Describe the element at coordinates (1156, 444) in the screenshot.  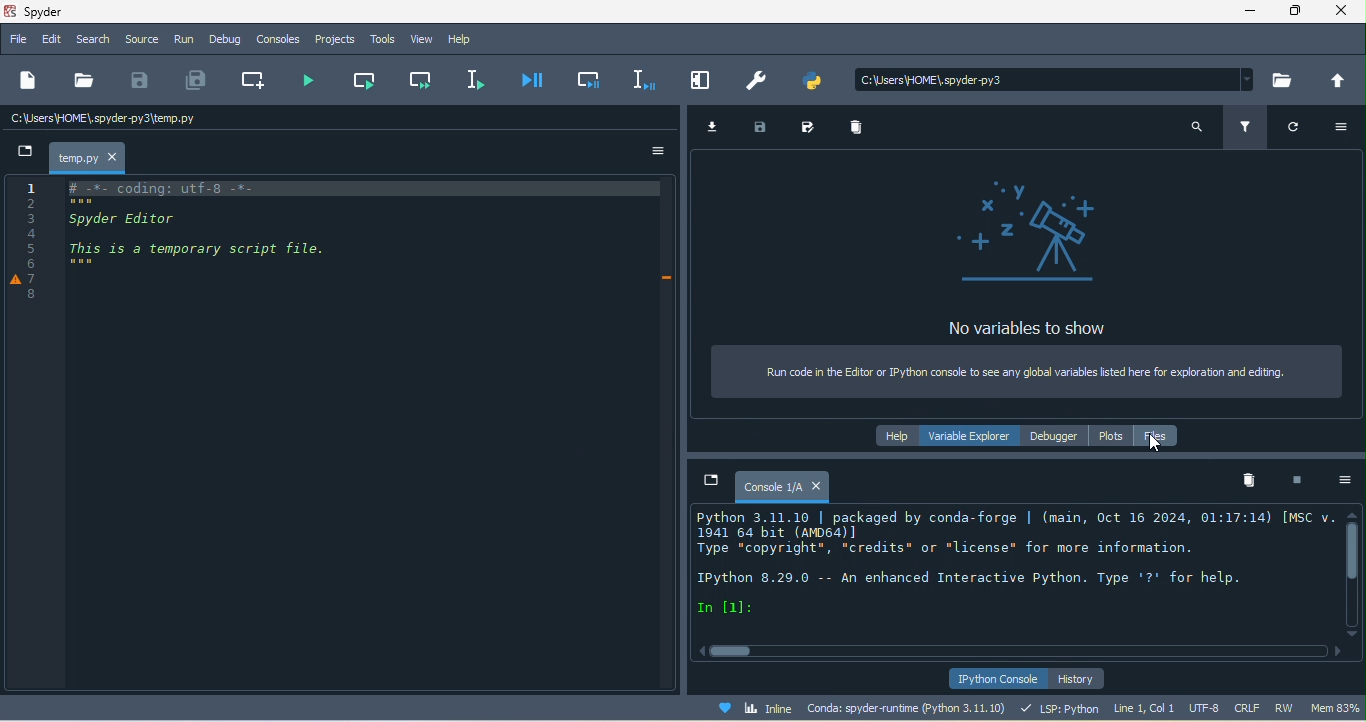
I see `cursor` at that location.